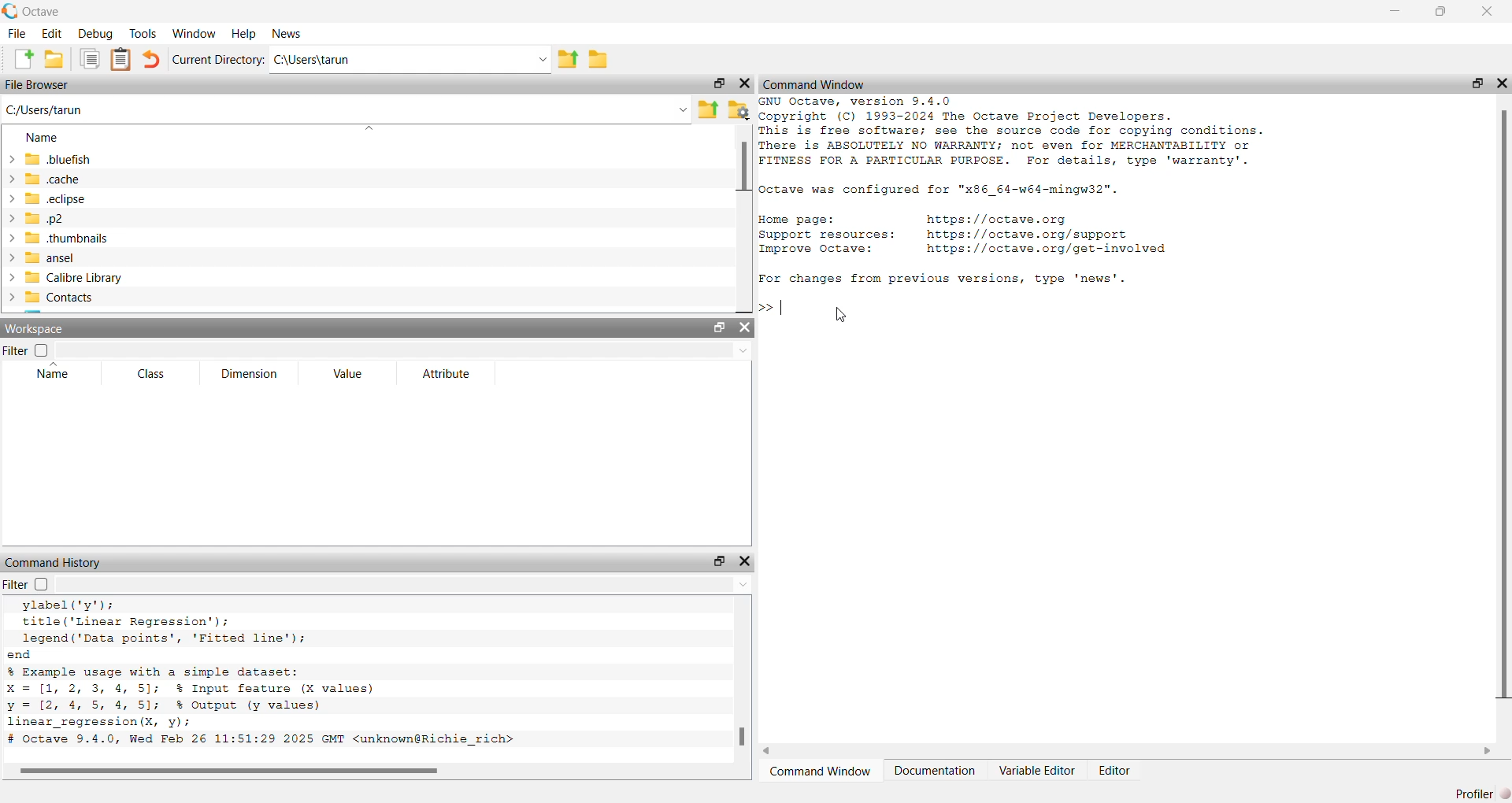  Describe the element at coordinates (938, 770) in the screenshot. I see `documentation` at that location.